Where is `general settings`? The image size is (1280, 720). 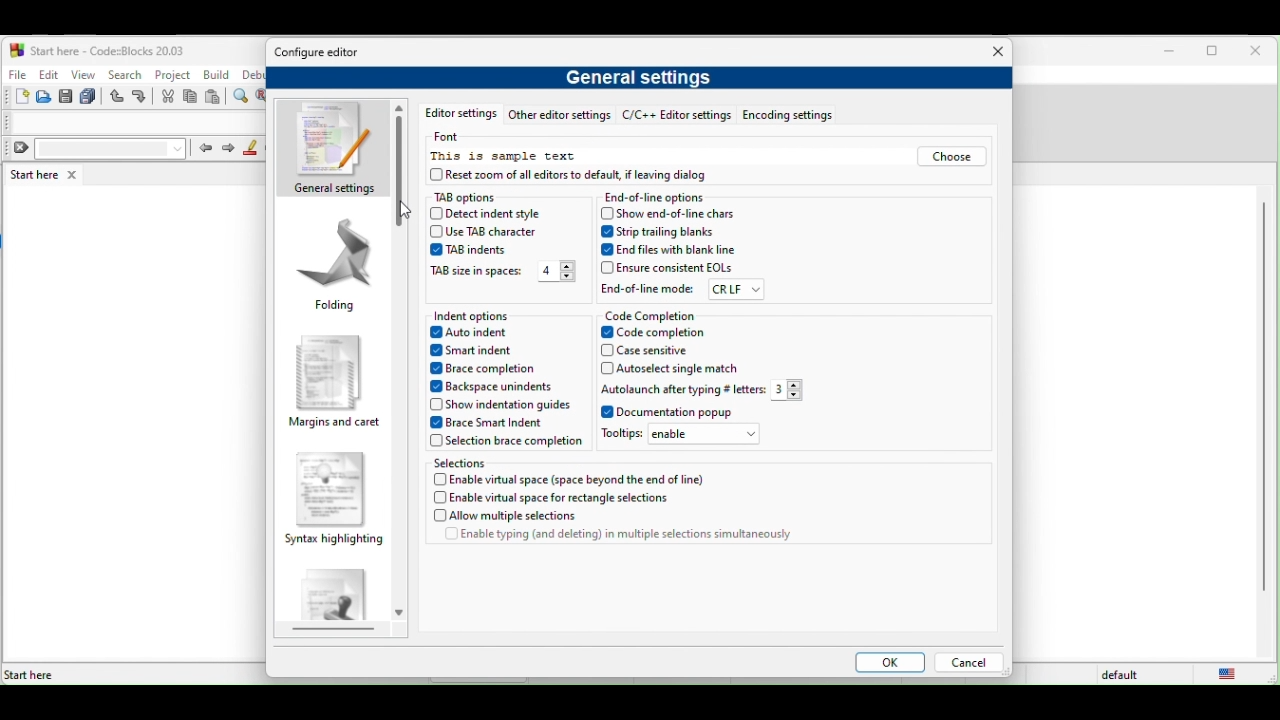 general settings is located at coordinates (643, 81).